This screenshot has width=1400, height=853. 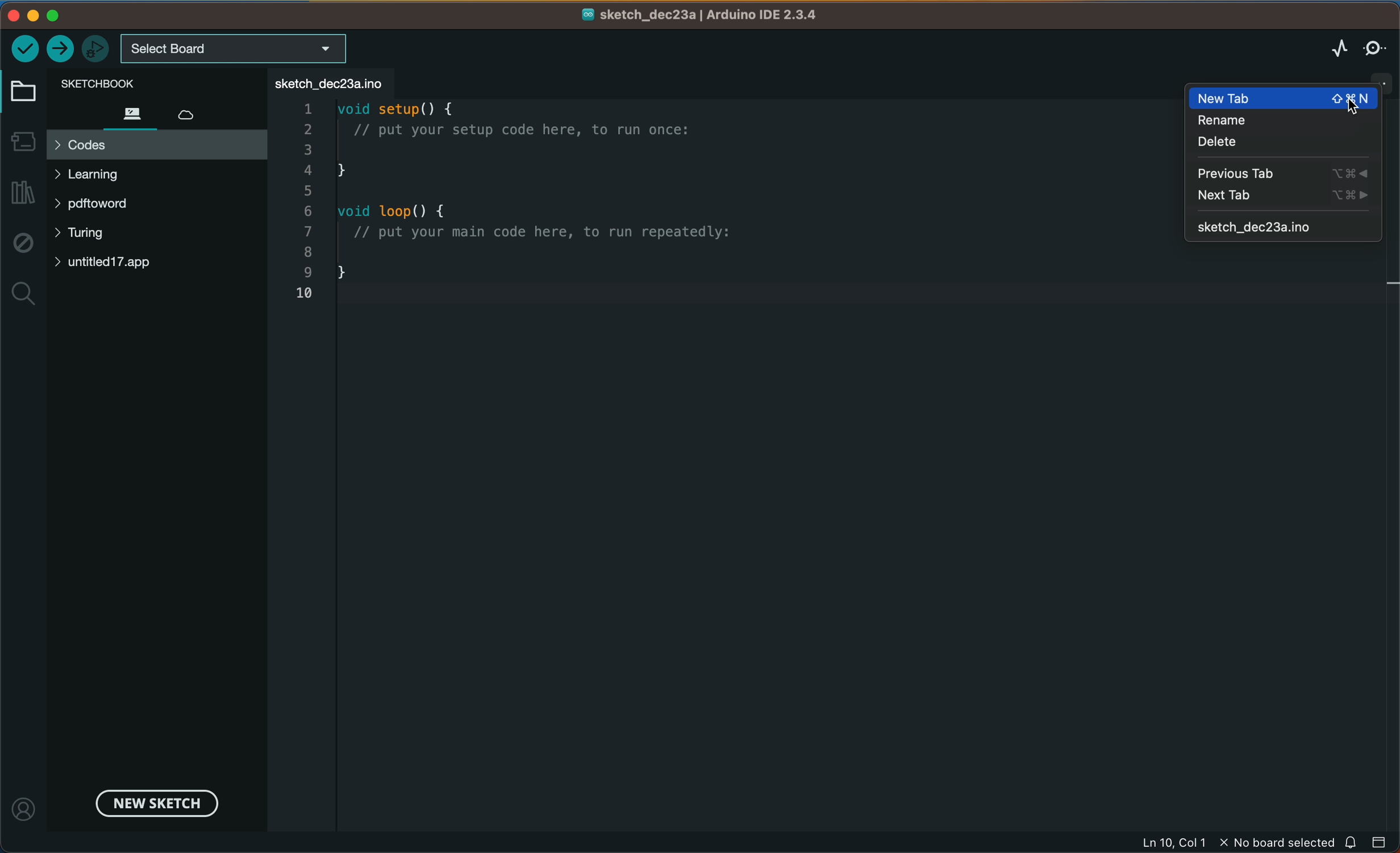 I want to click on serial plotter, so click(x=1326, y=48).